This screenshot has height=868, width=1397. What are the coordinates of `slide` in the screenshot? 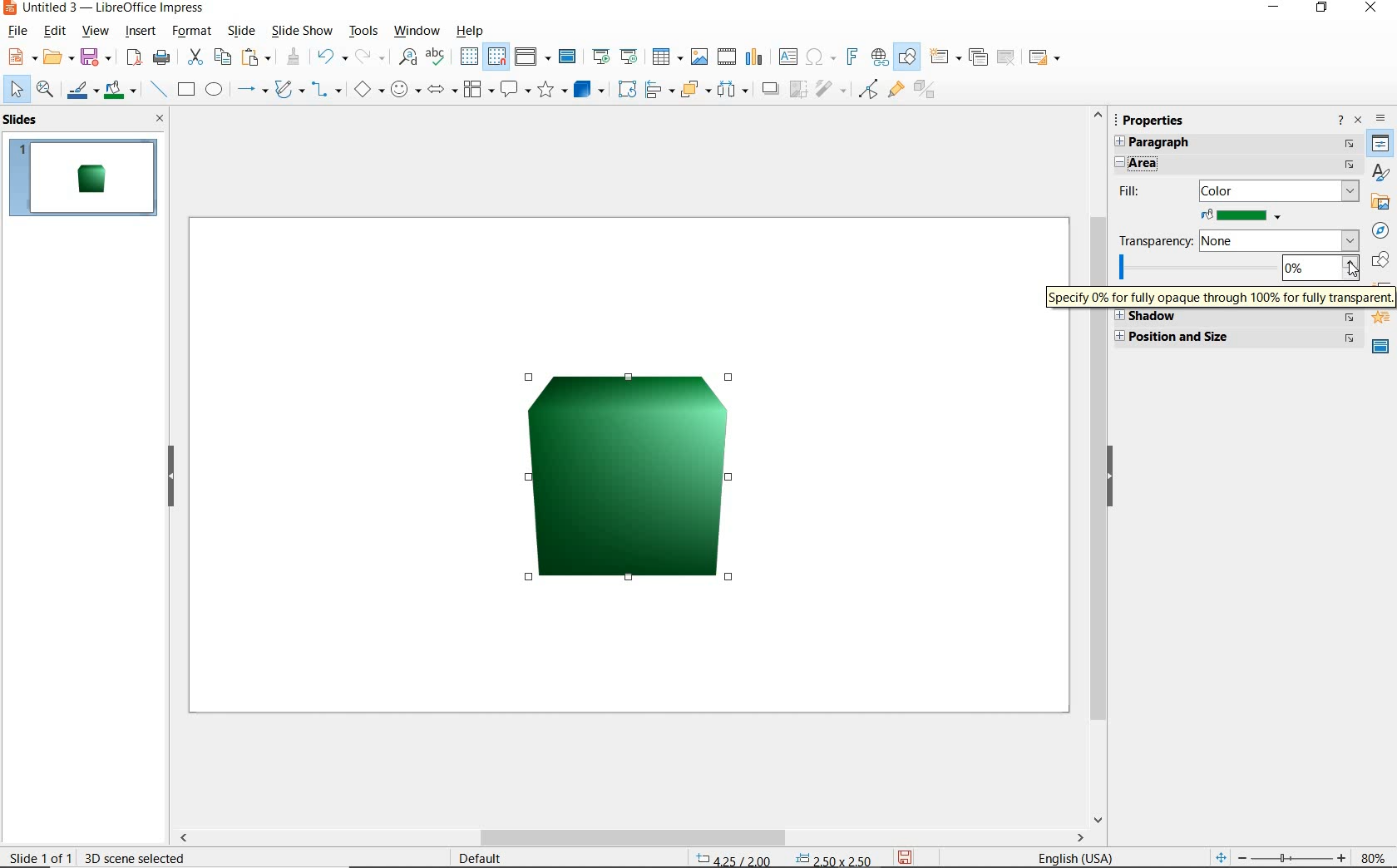 It's located at (239, 31).